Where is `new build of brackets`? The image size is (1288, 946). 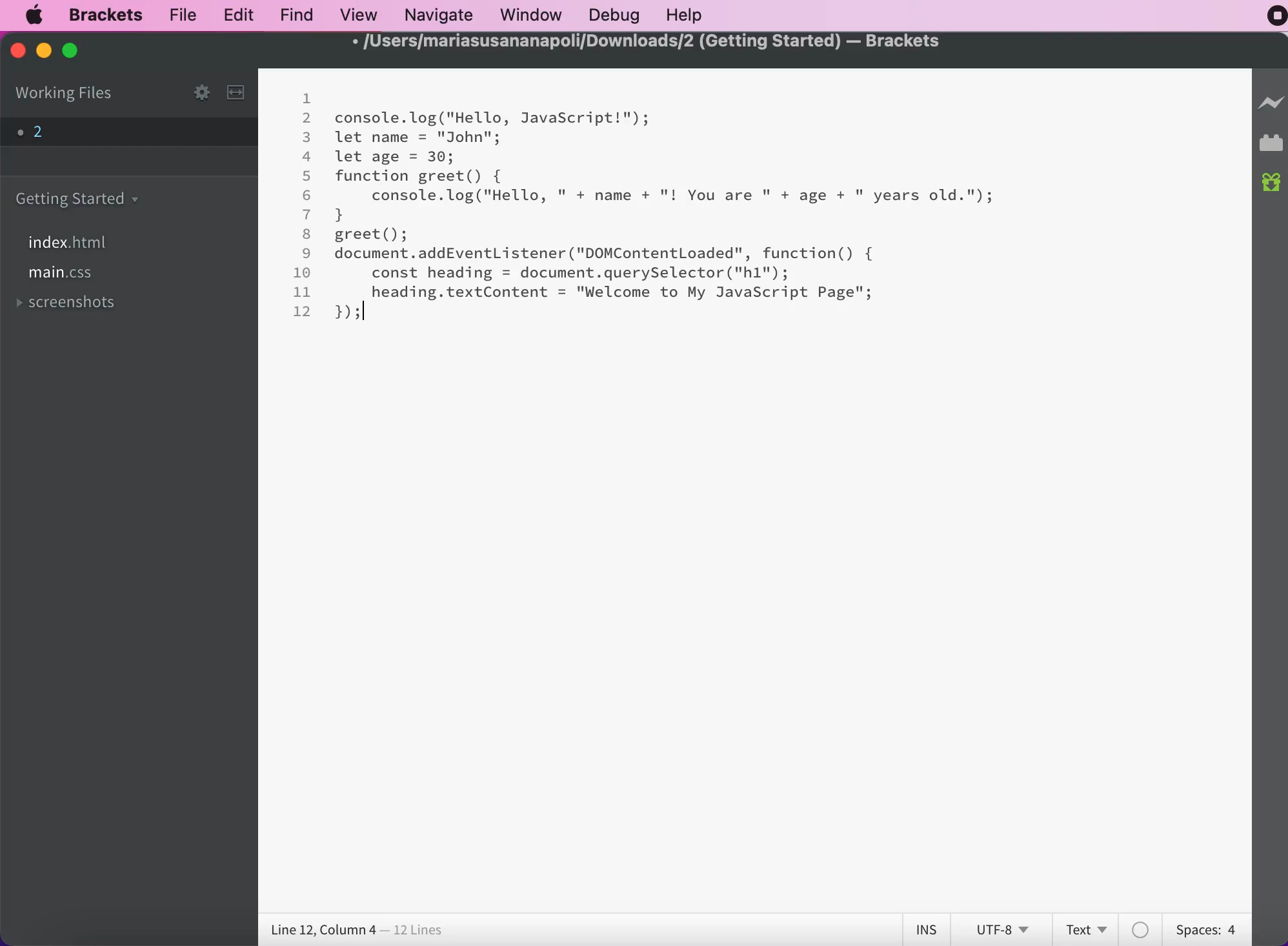 new build of brackets is located at coordinates (1271, 186).